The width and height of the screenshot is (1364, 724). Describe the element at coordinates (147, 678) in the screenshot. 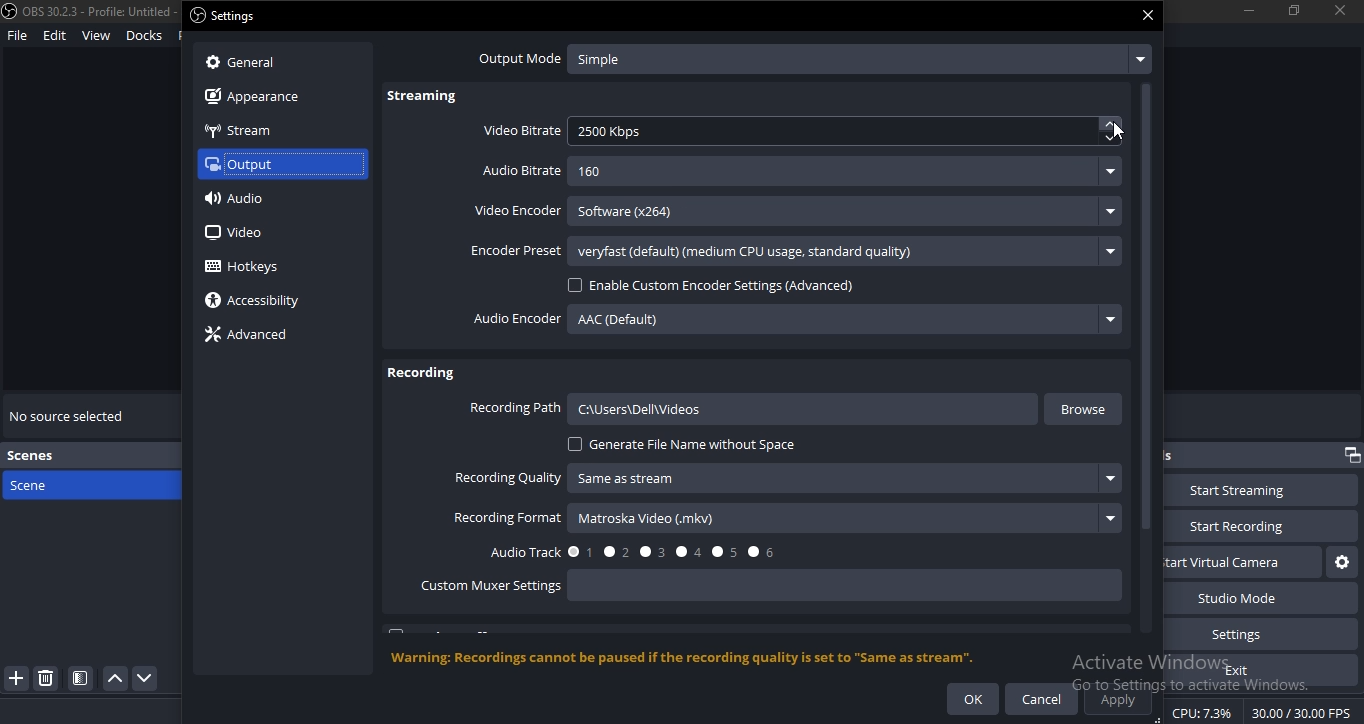

I see `move down scene` at that location.